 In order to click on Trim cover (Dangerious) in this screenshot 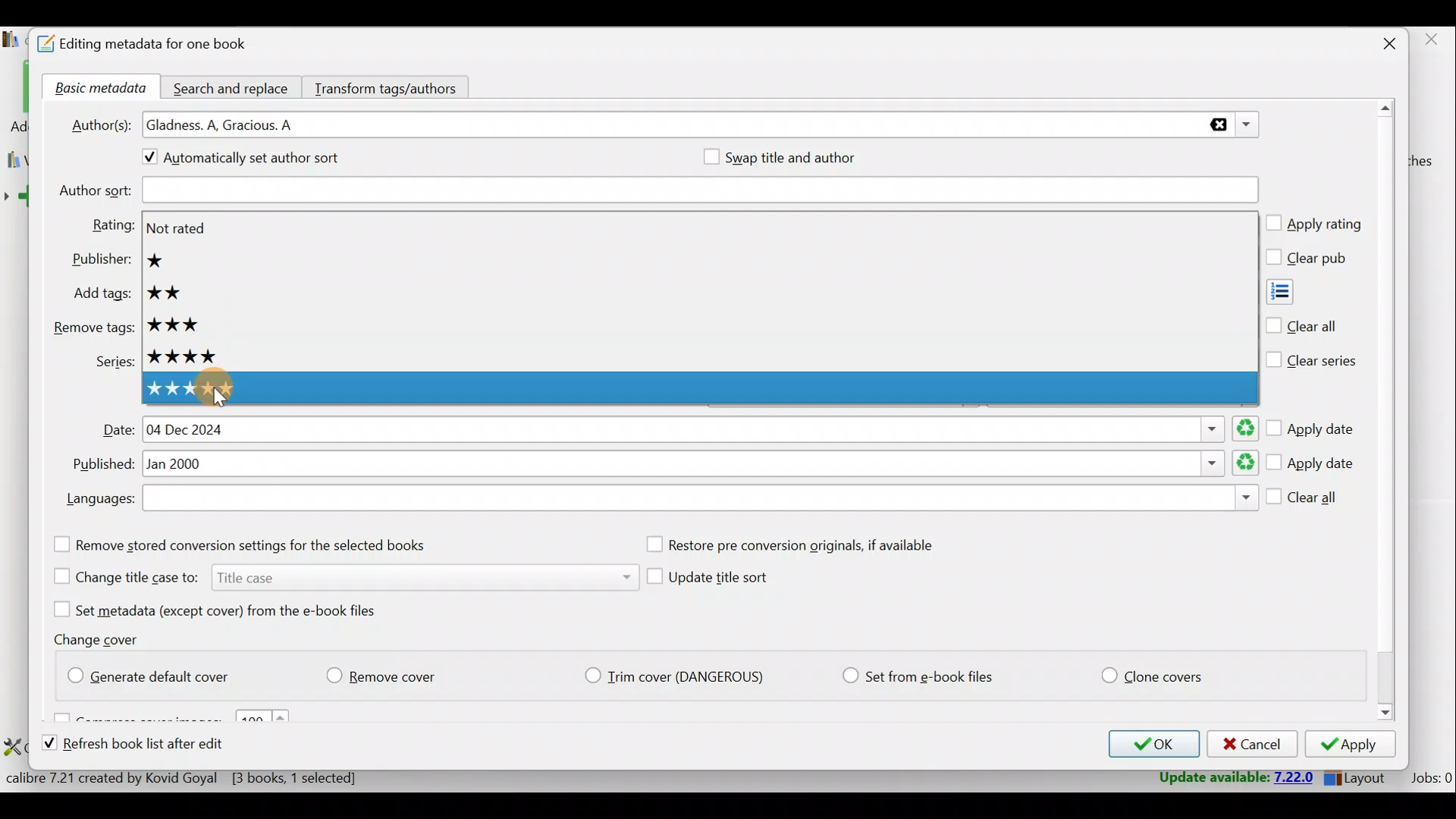, I will do `click(679, 678)`.